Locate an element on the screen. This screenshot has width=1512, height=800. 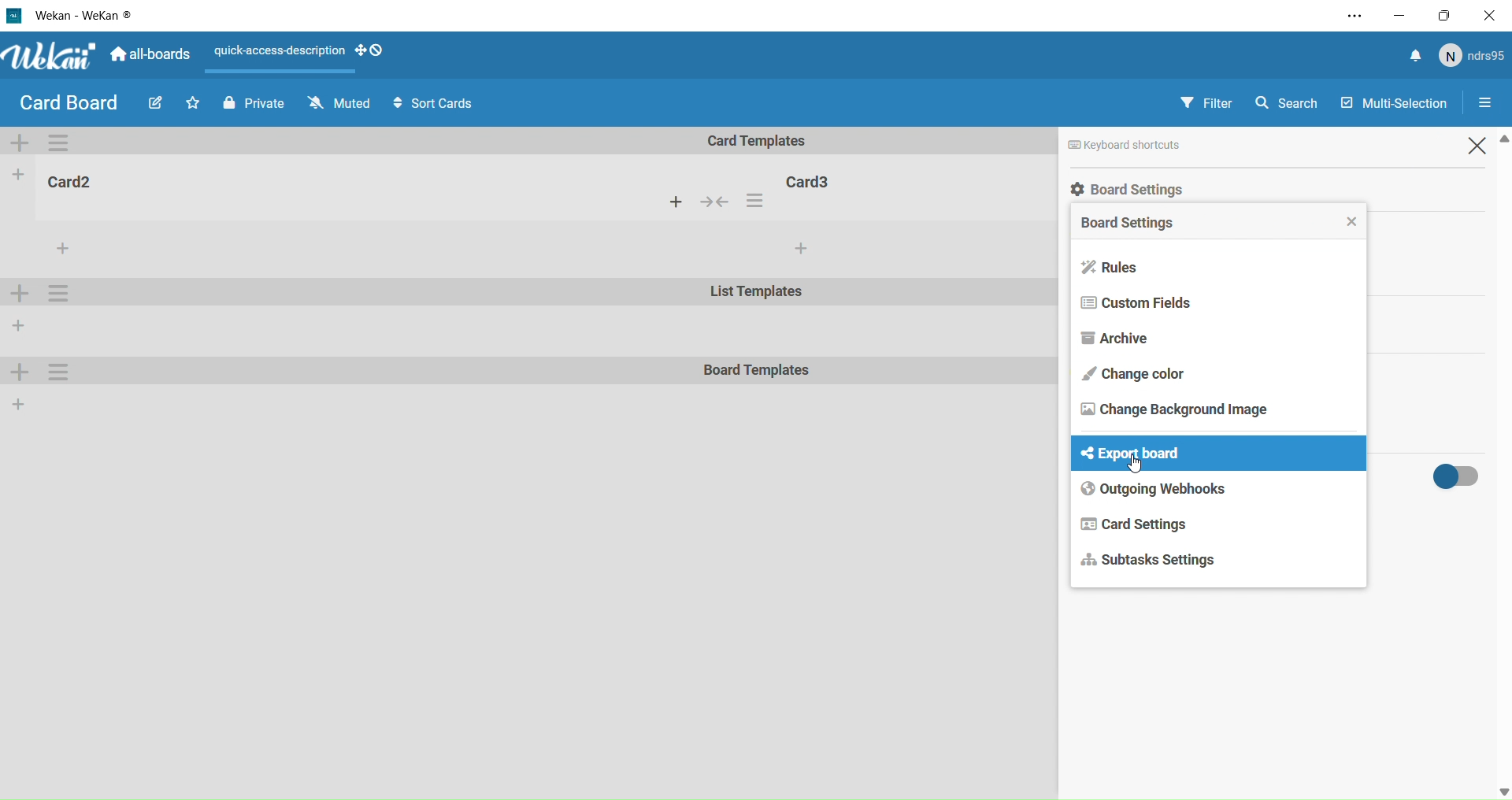
List Templates is located at coordinates (758, 294).